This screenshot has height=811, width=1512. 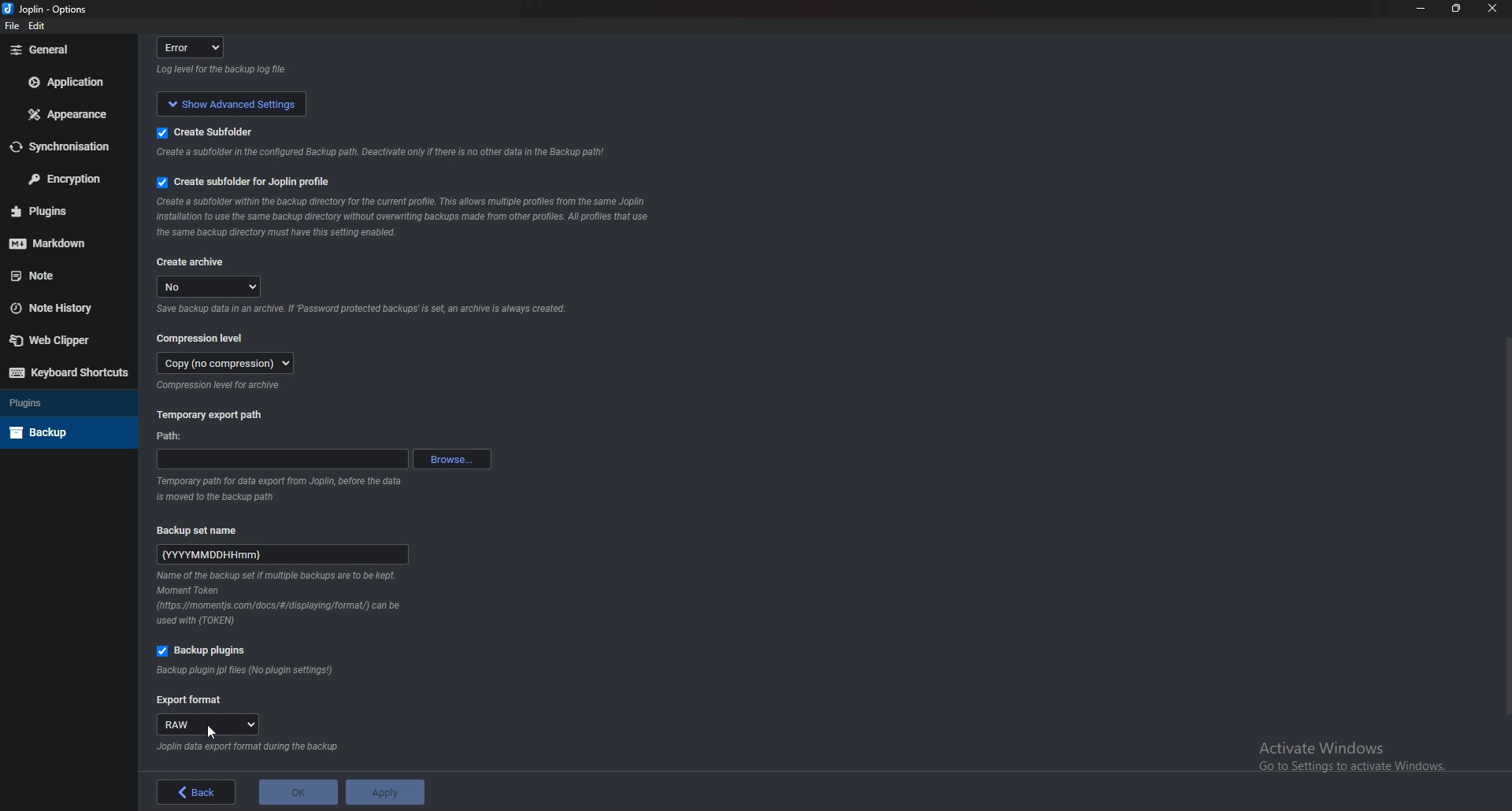 I want to click on General, so click(x=65, y=50).